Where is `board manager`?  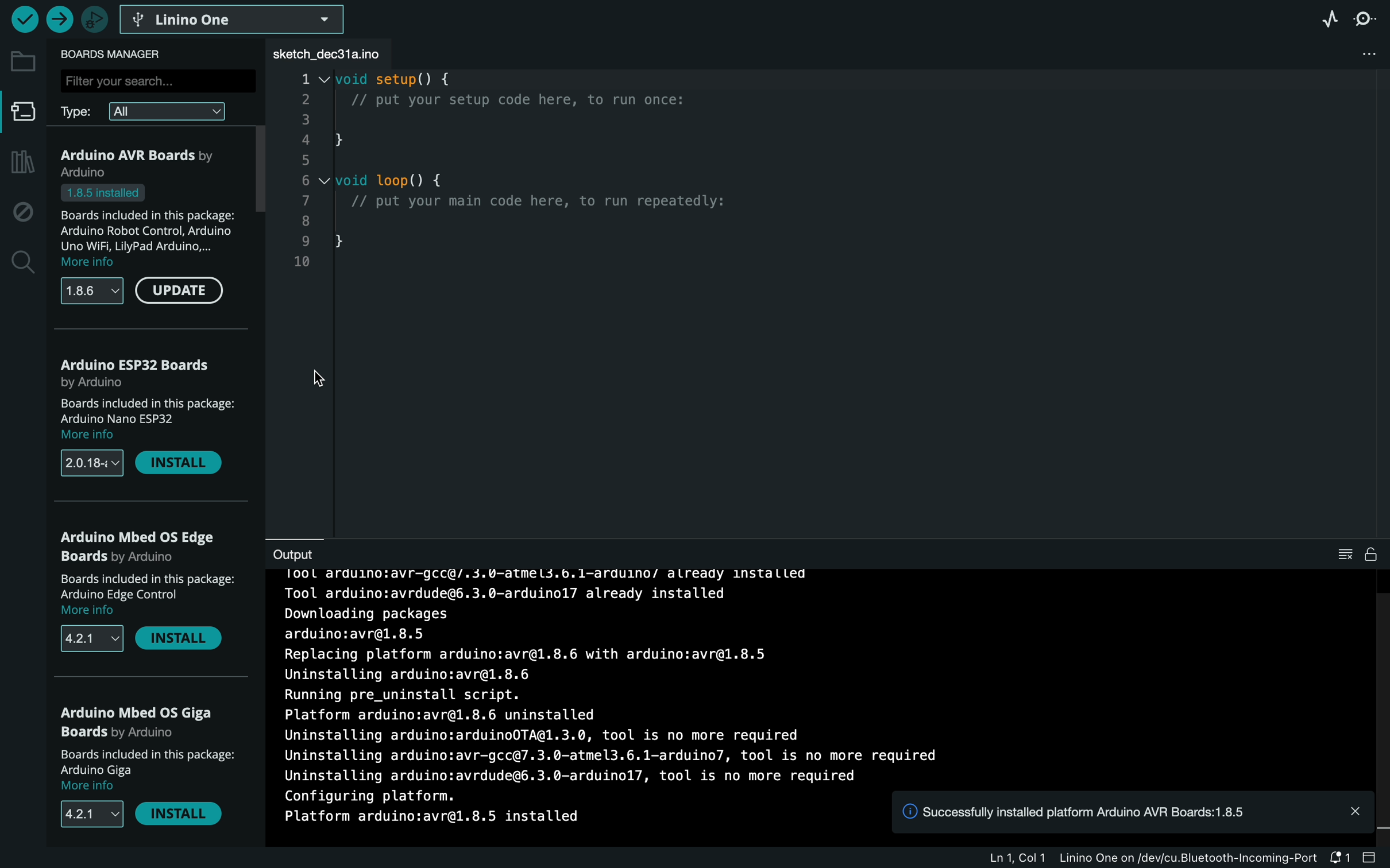 board manager is located at coordinates (118, 54).